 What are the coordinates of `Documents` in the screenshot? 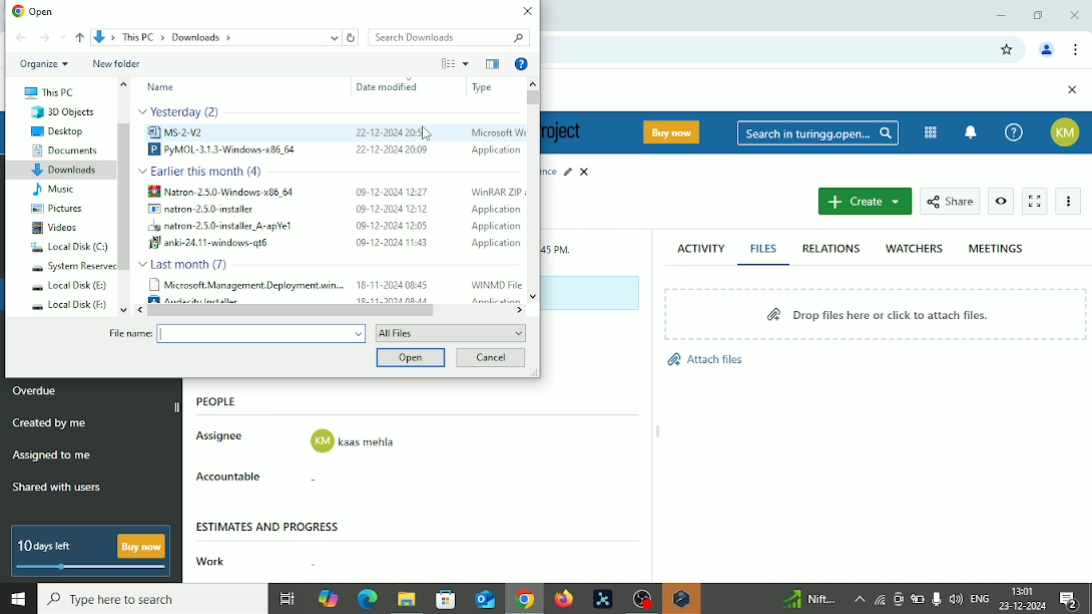 It's located at (63, 150).